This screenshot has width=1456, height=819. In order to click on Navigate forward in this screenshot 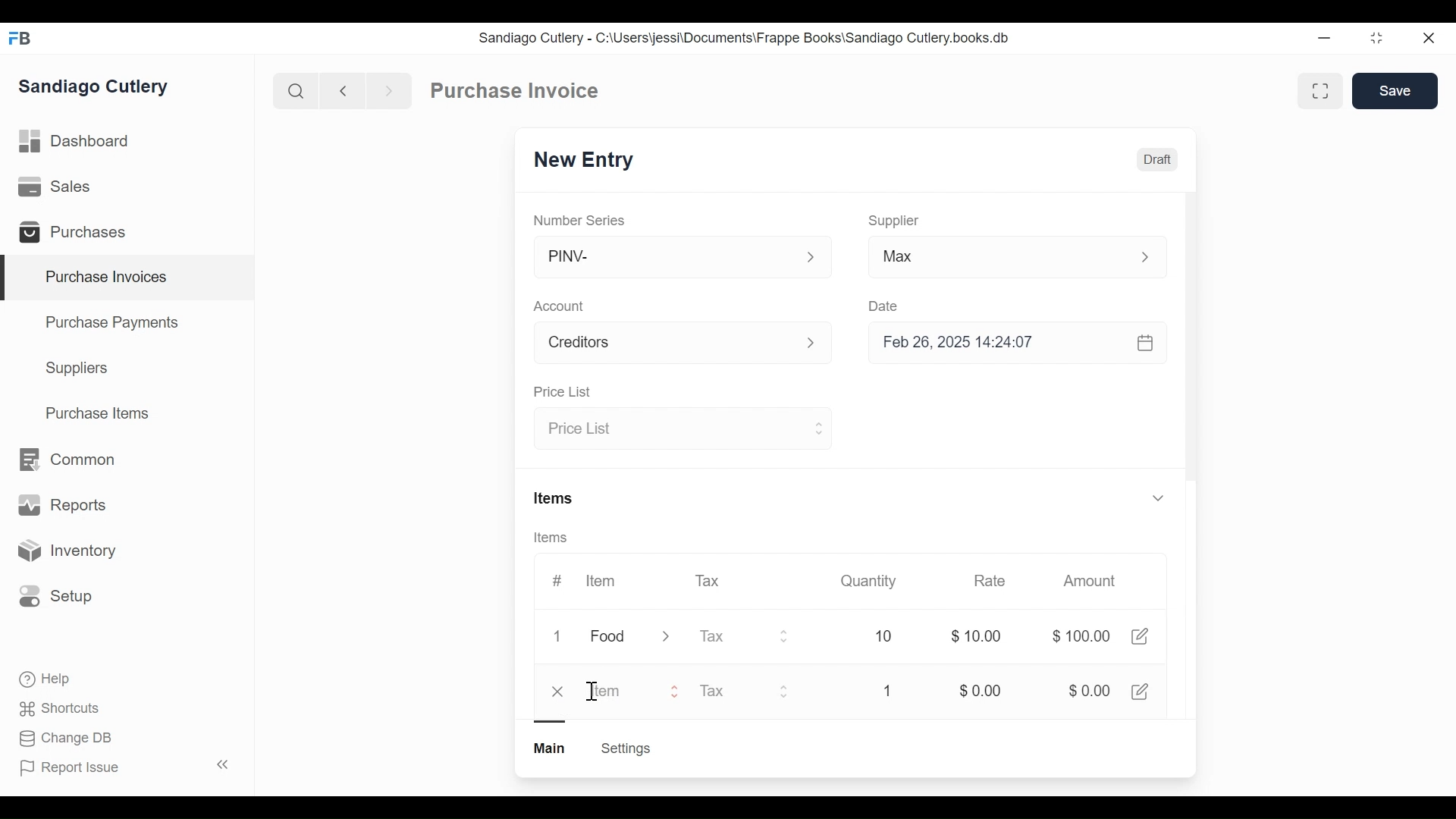, I will do `click(388, 89)`.